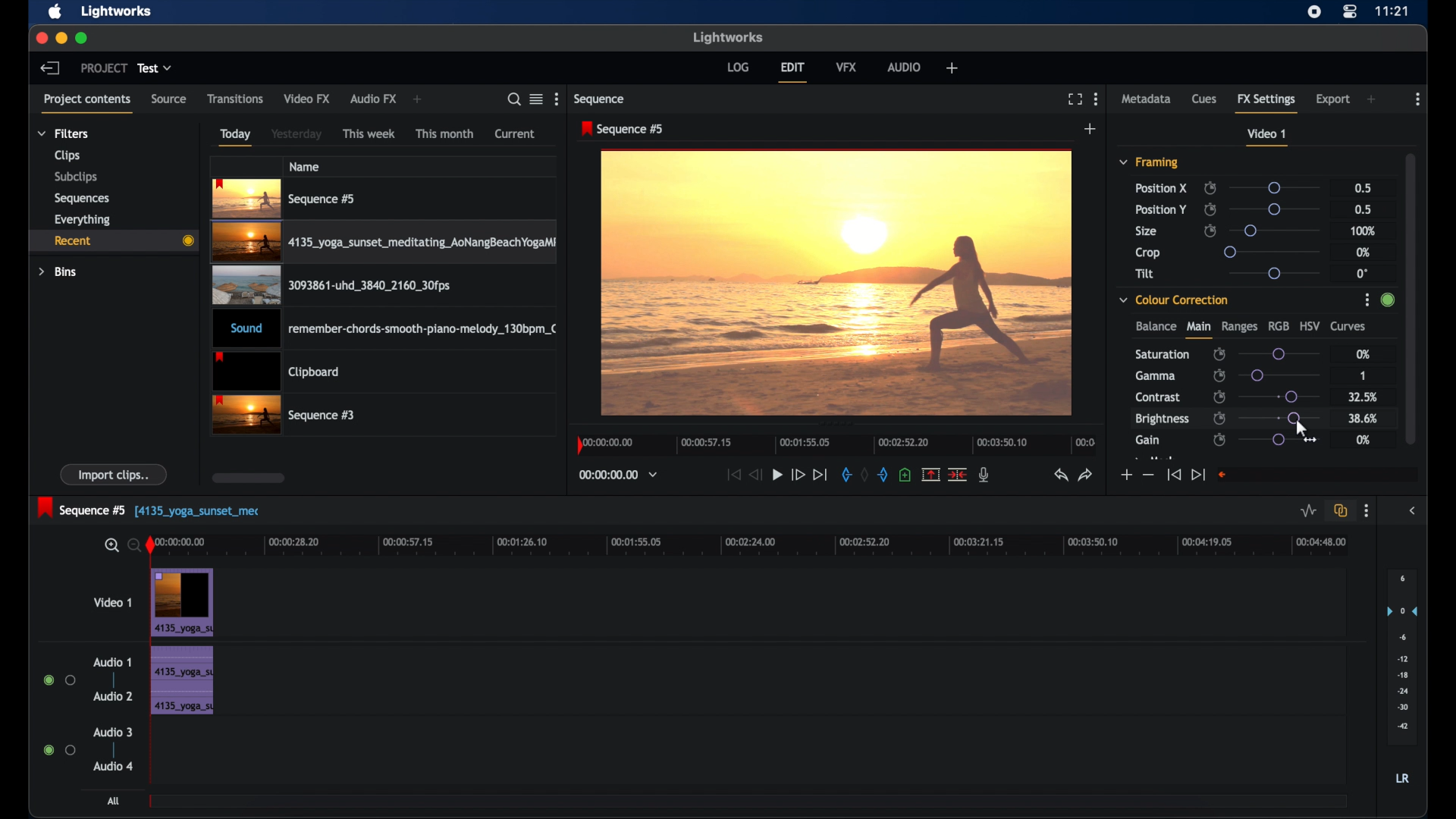 The height and width of the screenshot is (819, 1456). What do you see at coordinates (184, 603) in the screenshot?
I see `video clip` at bounding box center [184, 603].